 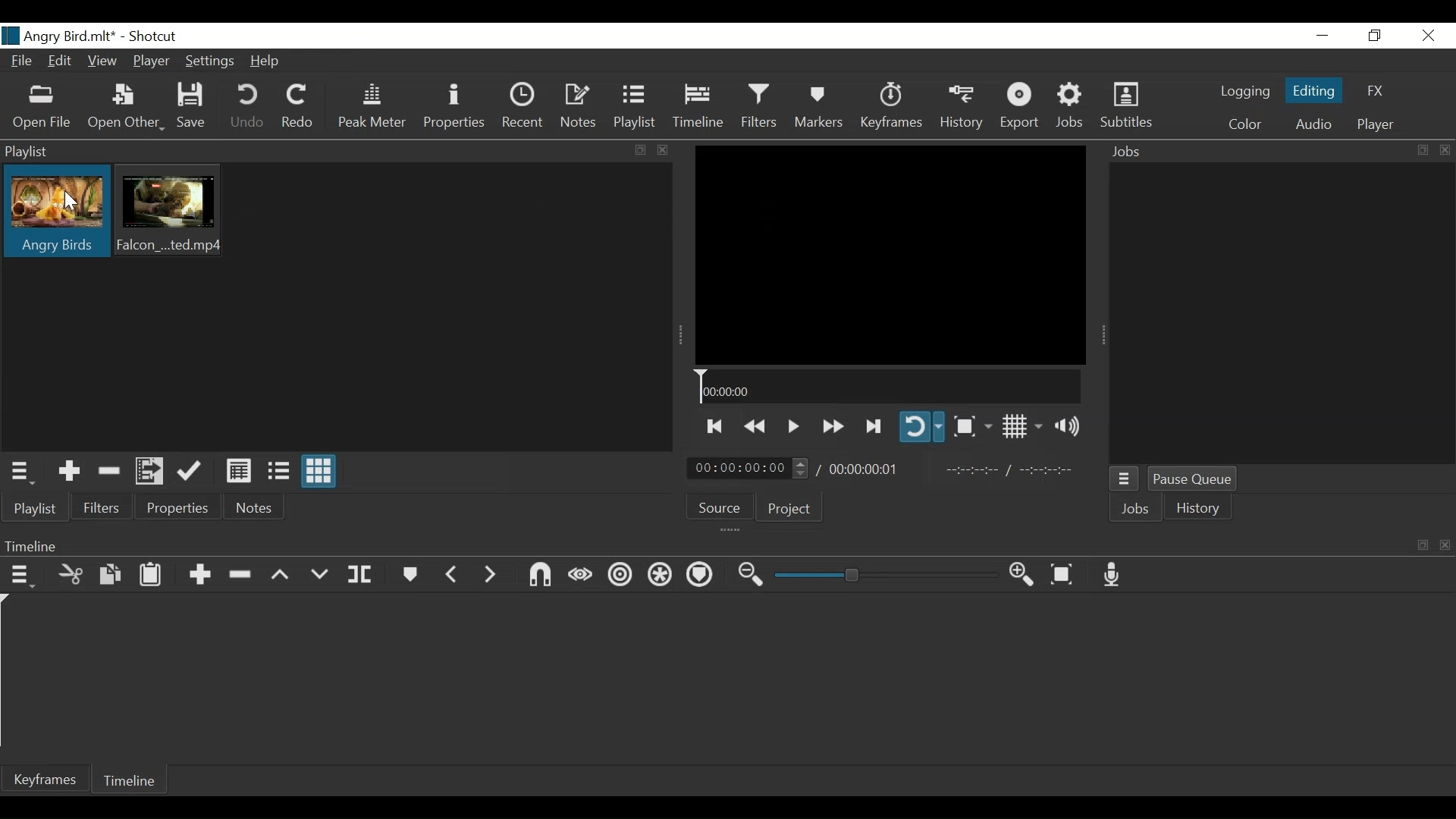 I want to click on Toggle player looping, so click(x=921, y=428).